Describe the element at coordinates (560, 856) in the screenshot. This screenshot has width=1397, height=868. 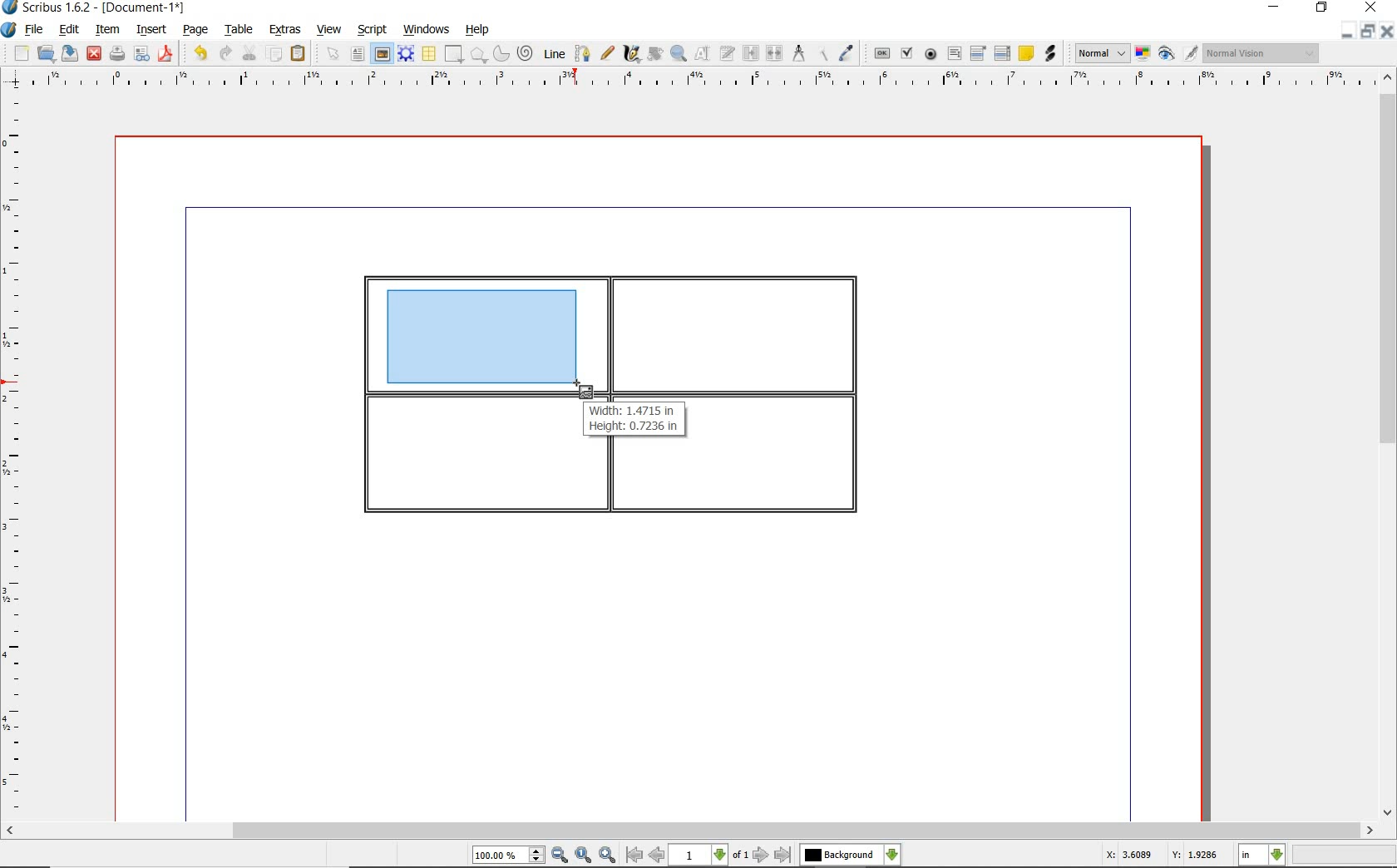
I see `zoom out` at that location.